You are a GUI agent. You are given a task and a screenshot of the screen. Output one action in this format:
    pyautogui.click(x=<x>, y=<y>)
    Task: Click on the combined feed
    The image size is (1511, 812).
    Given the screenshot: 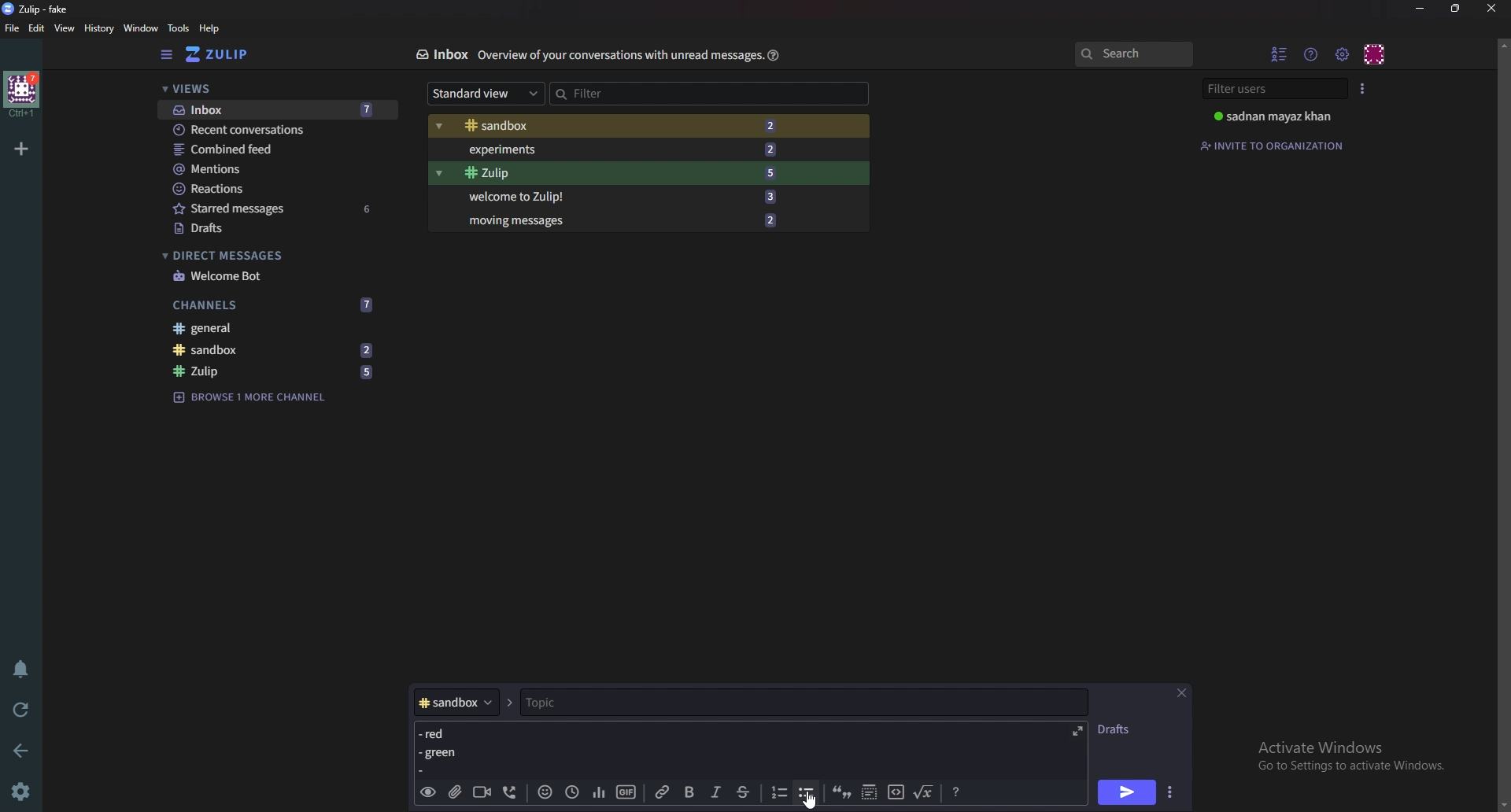 What is the action you would take?
    pyautogui.click(x=277, y=149)
    